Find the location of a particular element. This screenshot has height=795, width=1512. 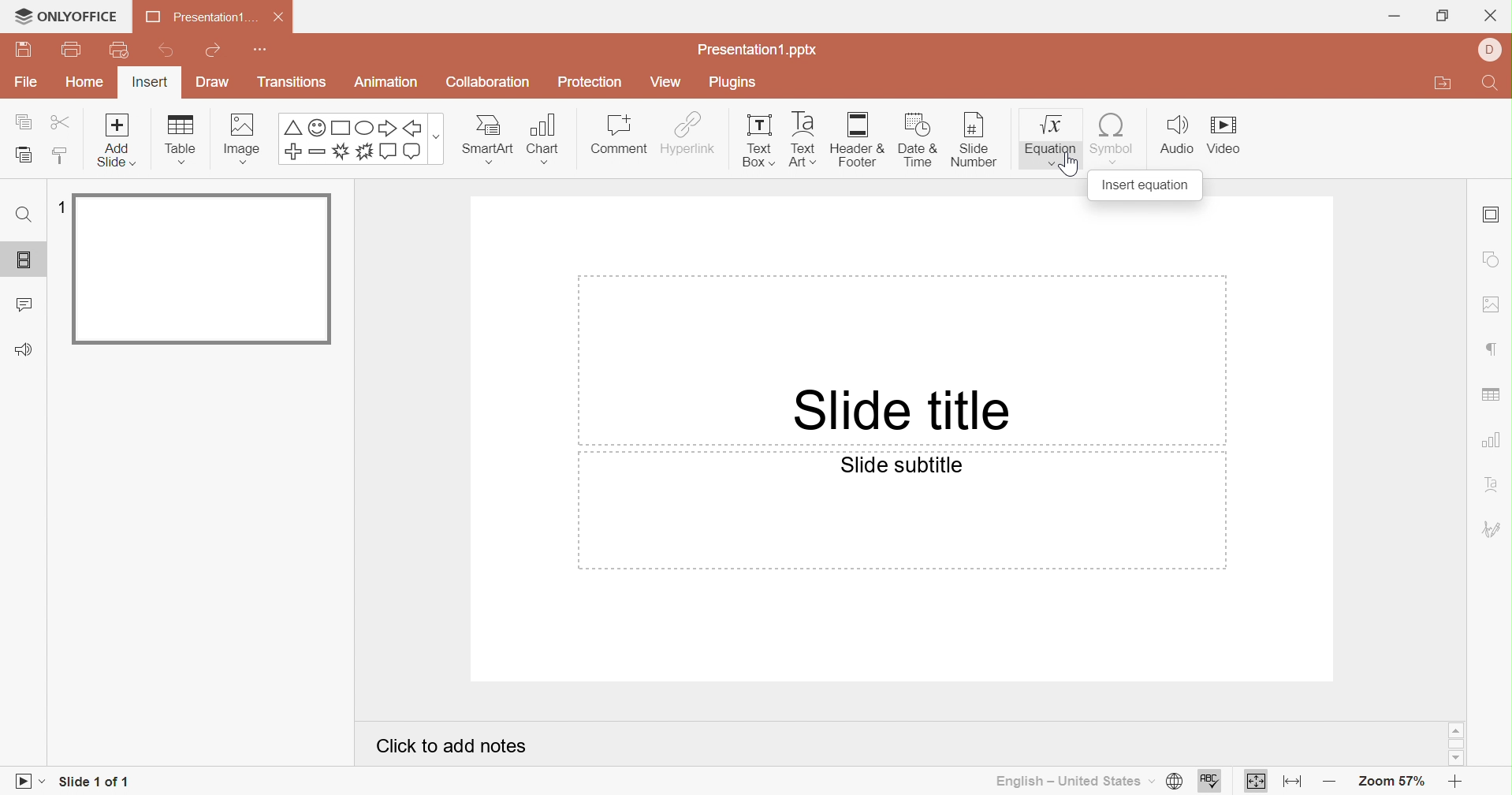

Insert is located at coordinates (151, 82).